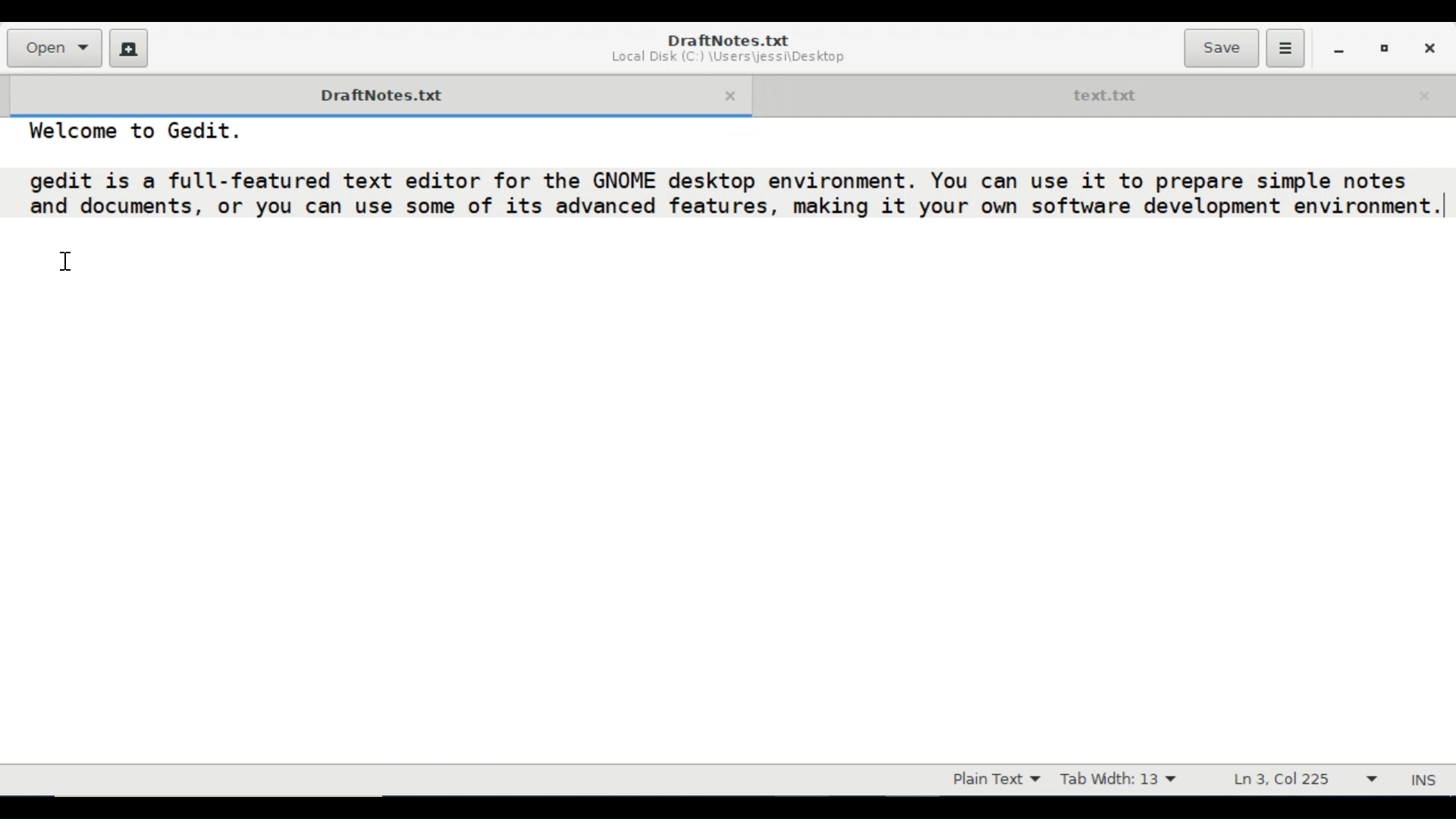 This screenshot has height=819, width=1456. What do you see at coordinates (123, 131) in the screenshot?
I see `Welcome to Gedit.` at bounding box center [123, 131].